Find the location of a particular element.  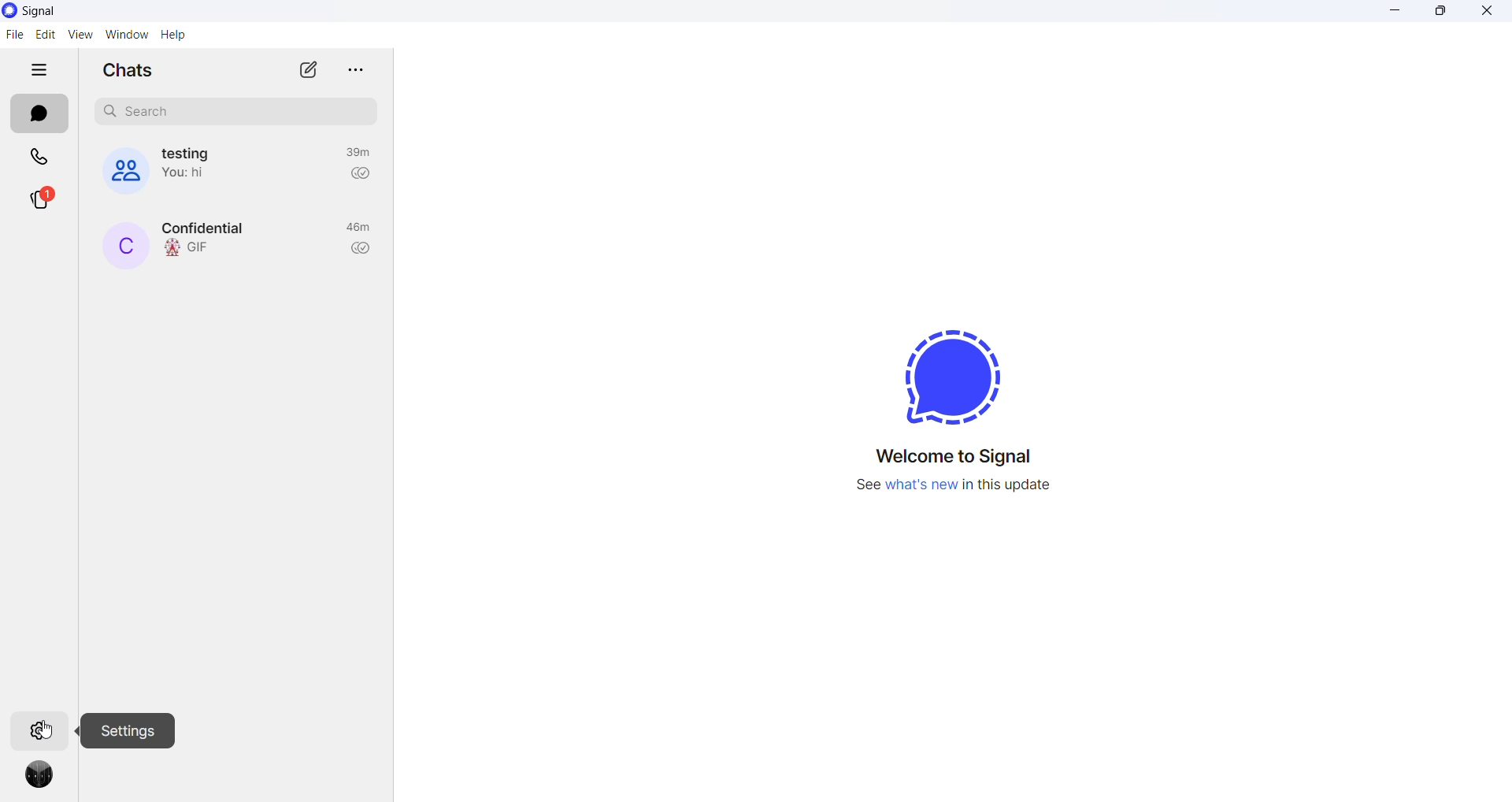

minimize is located at coordinates (1388, 12).